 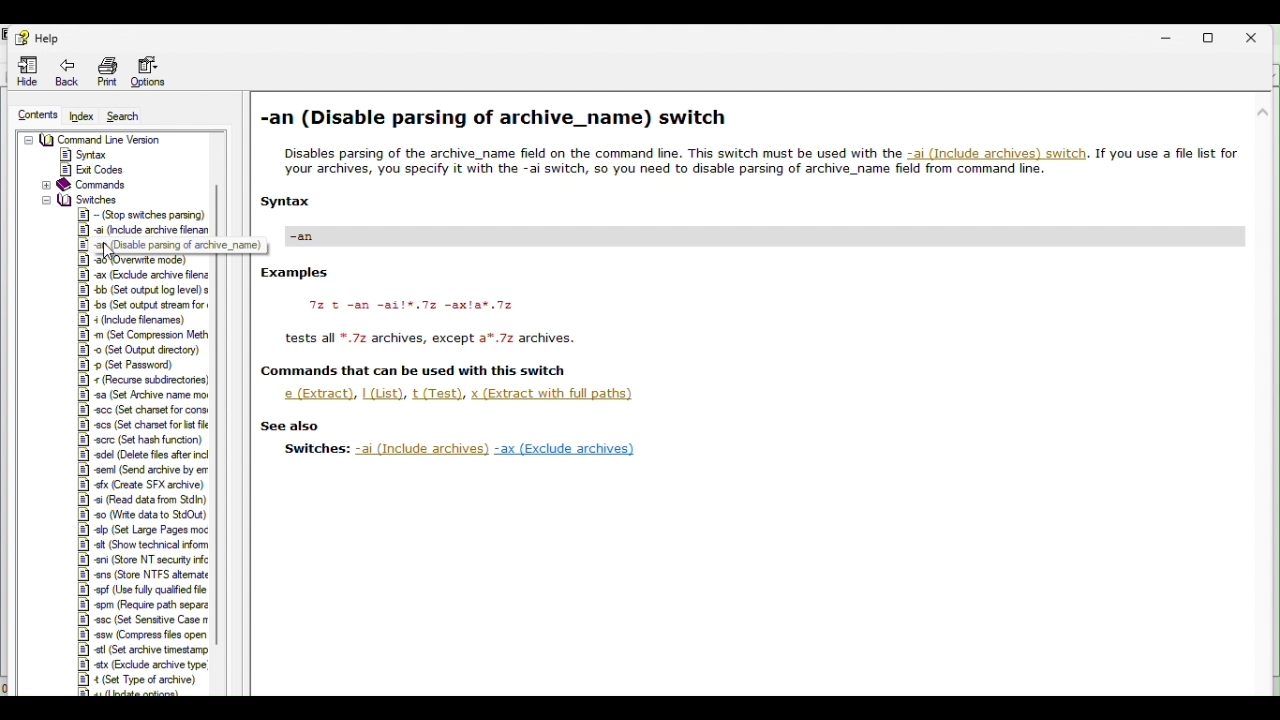 What do you see at coordinates (142, 409) in the screenshot?
I see `|B] ecc (Set charset for cons` at bounding box center [142, 409].